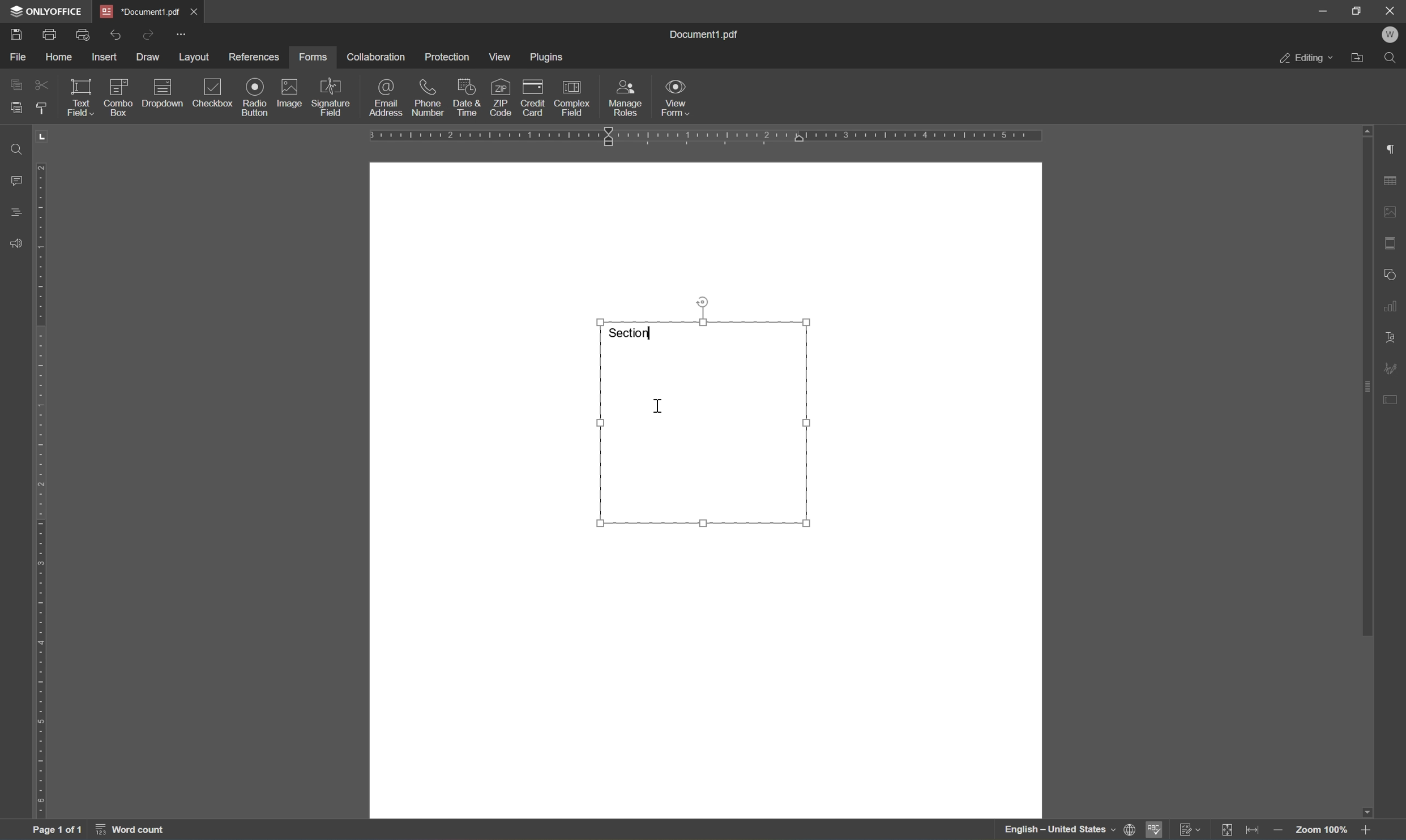 This screenshot has width=1406, height=840. I want to click on ONLYOFFICE, so click(51, 11).